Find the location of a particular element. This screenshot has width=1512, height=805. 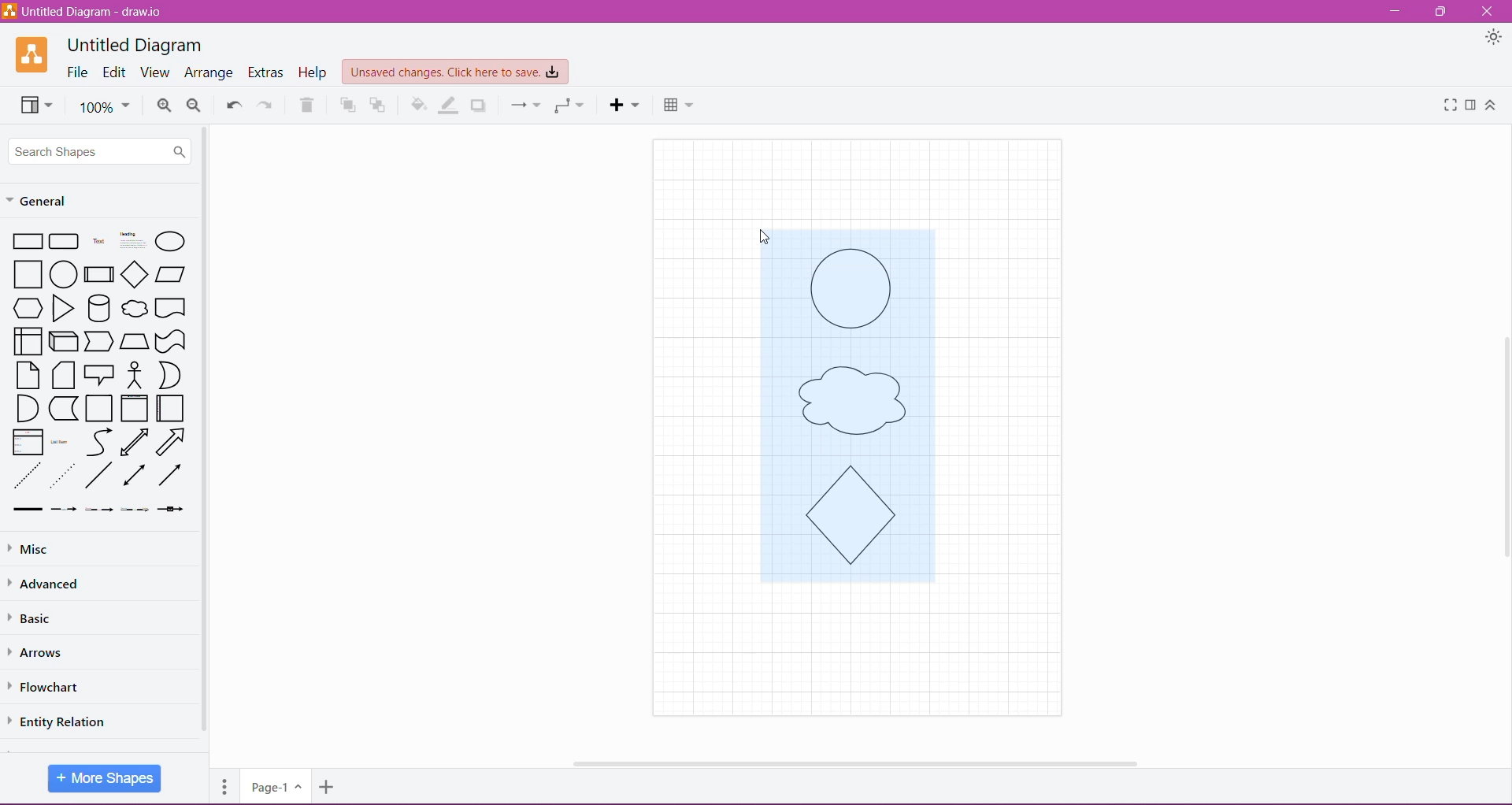

Arrange is located at coordinates (209, 73).